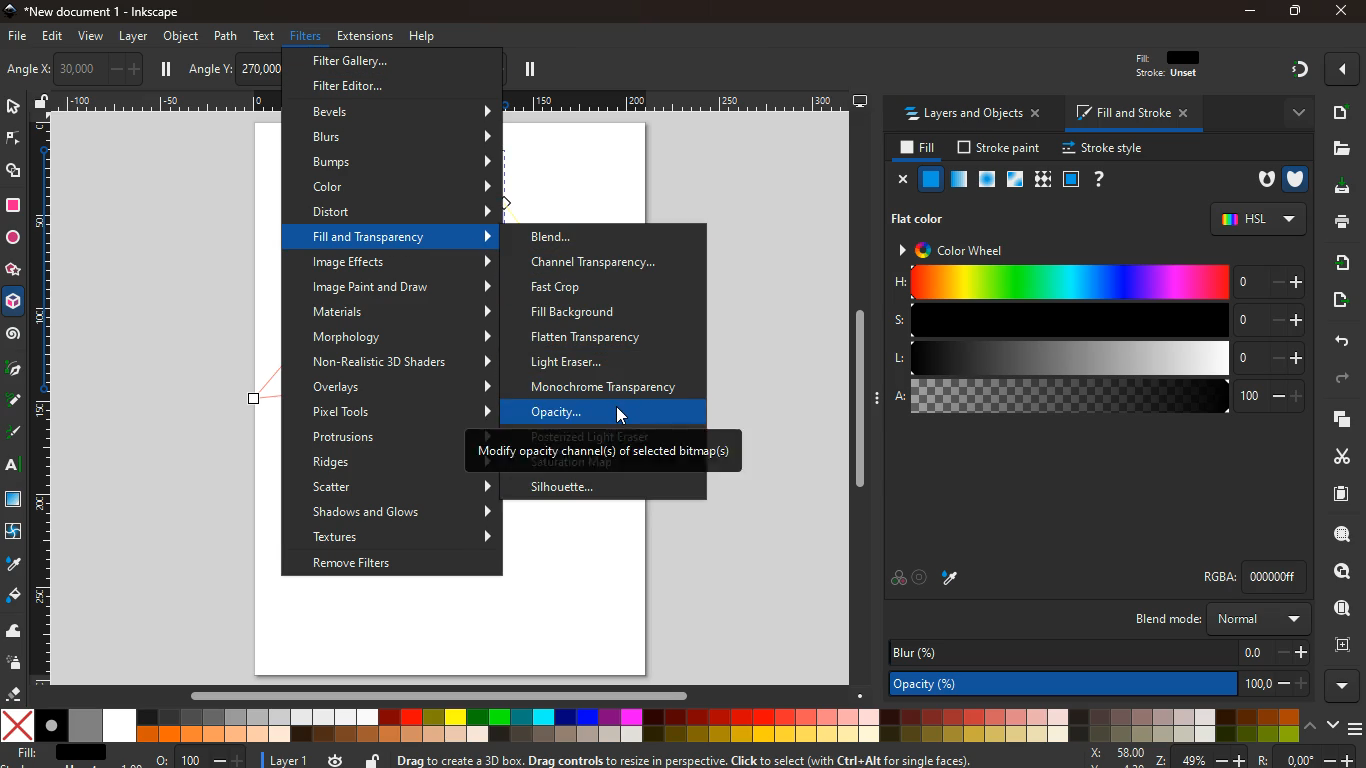 The height and width of the screenshot is (768, 1366). What do you see at coordinates (1334, 456) in the screenshot?
I see `cut` at bounding box center [1334, 456].